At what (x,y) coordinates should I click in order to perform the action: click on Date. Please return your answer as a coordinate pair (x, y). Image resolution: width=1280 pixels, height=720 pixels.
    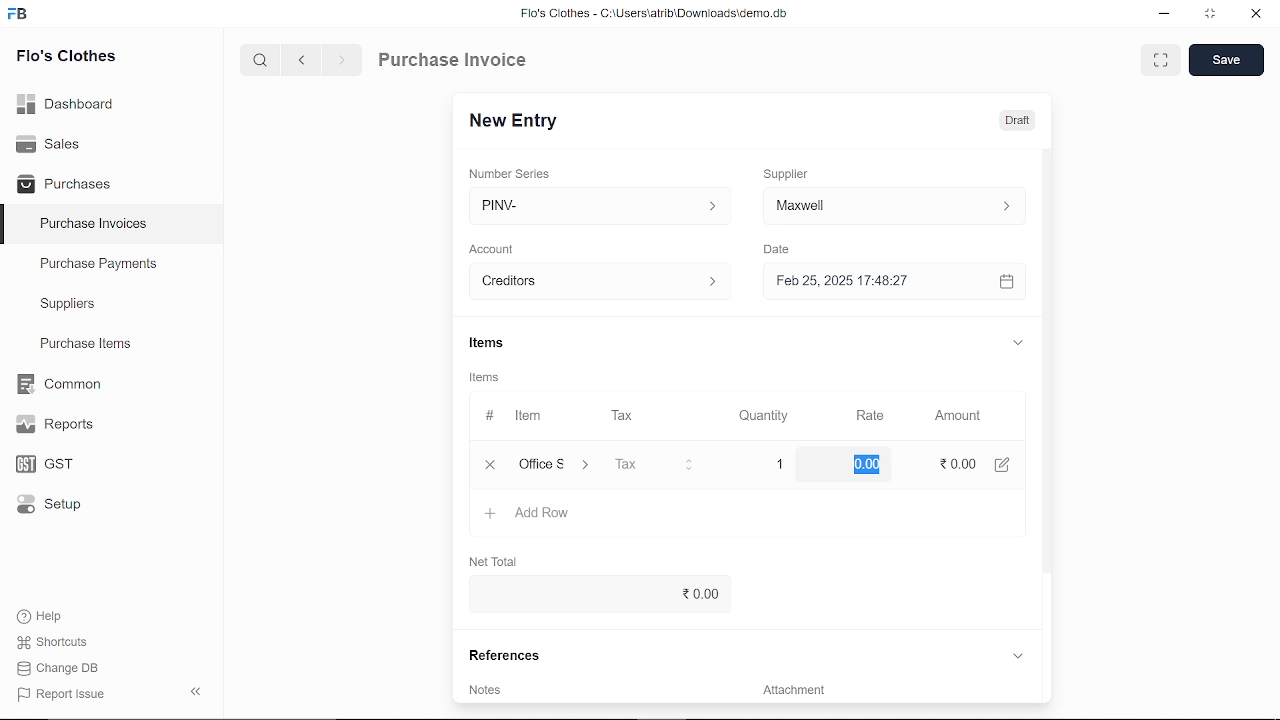
    Looking at the image, I should click on (782, 250).